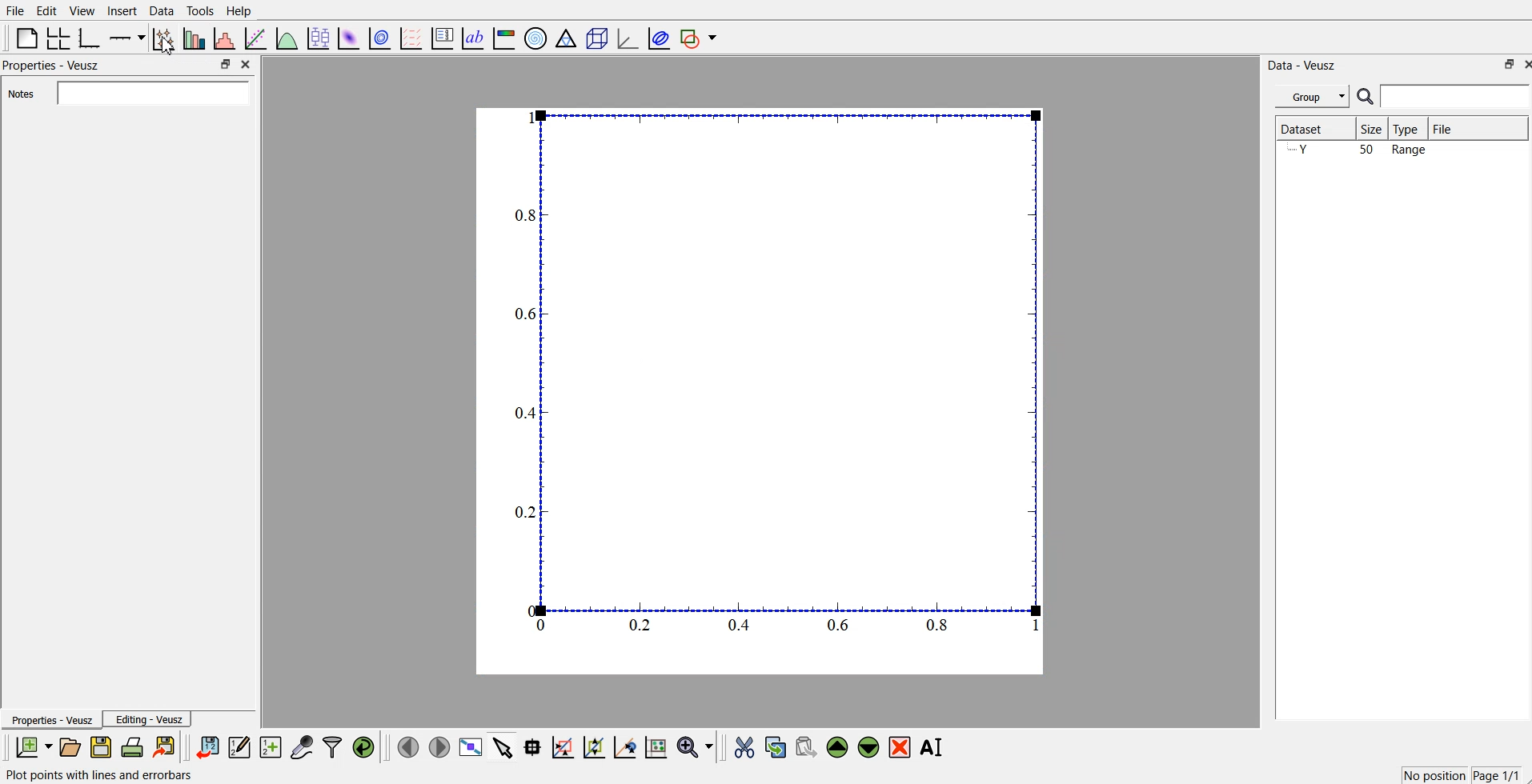 The width and height of the screenshot is (1532, 784). What do you see at coordinates (271, 748) in the screenshot?
I see `create new datasets` at bounding box center [271, 748].